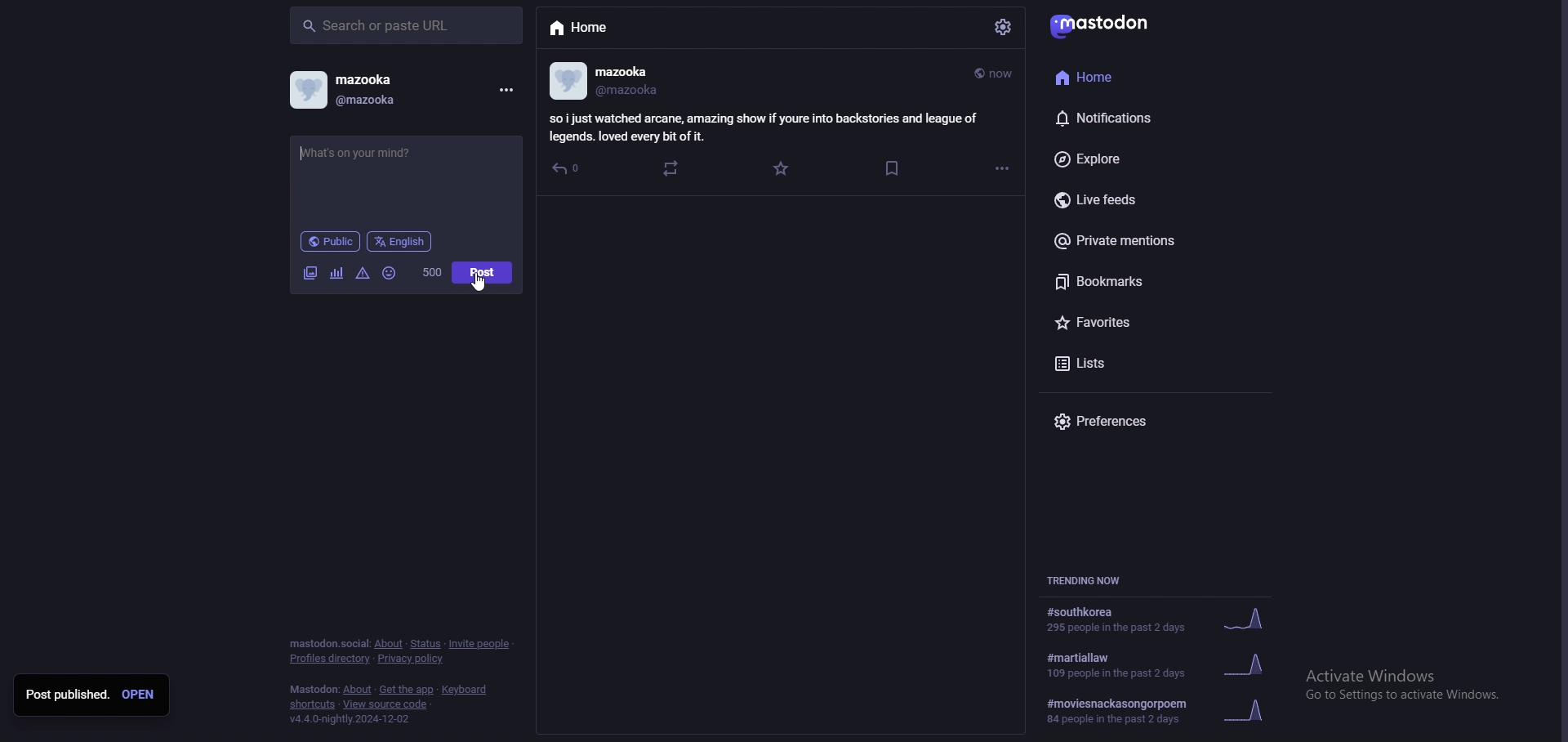 This screenshot has height=742, width=1568. I want to click on settings, so click(1004, 27).